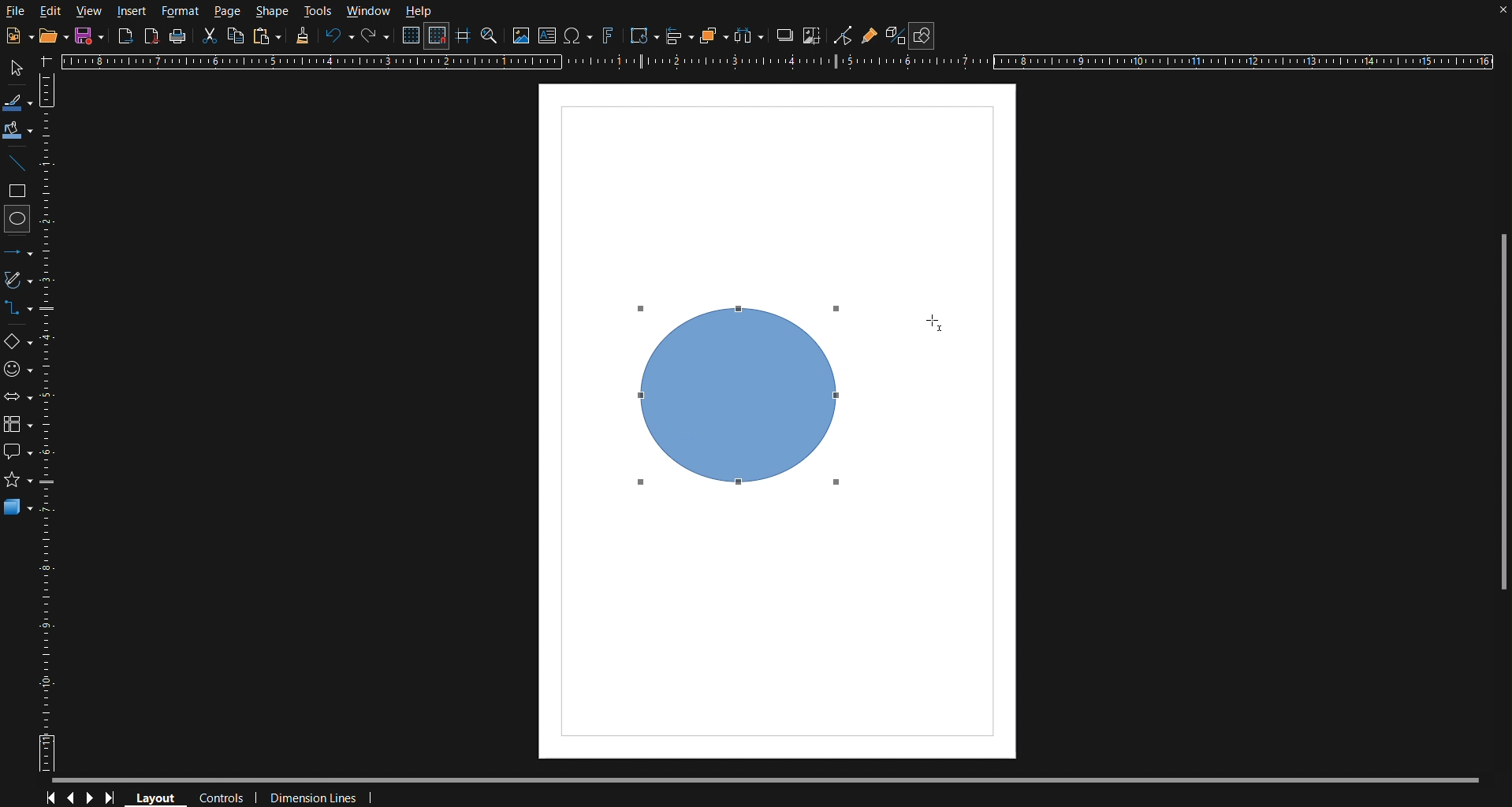 The image size is (1512, 807). What do you see at coordinates (418, 12) in the screenshot?
I see `Help` at bounding box center [418, 12].